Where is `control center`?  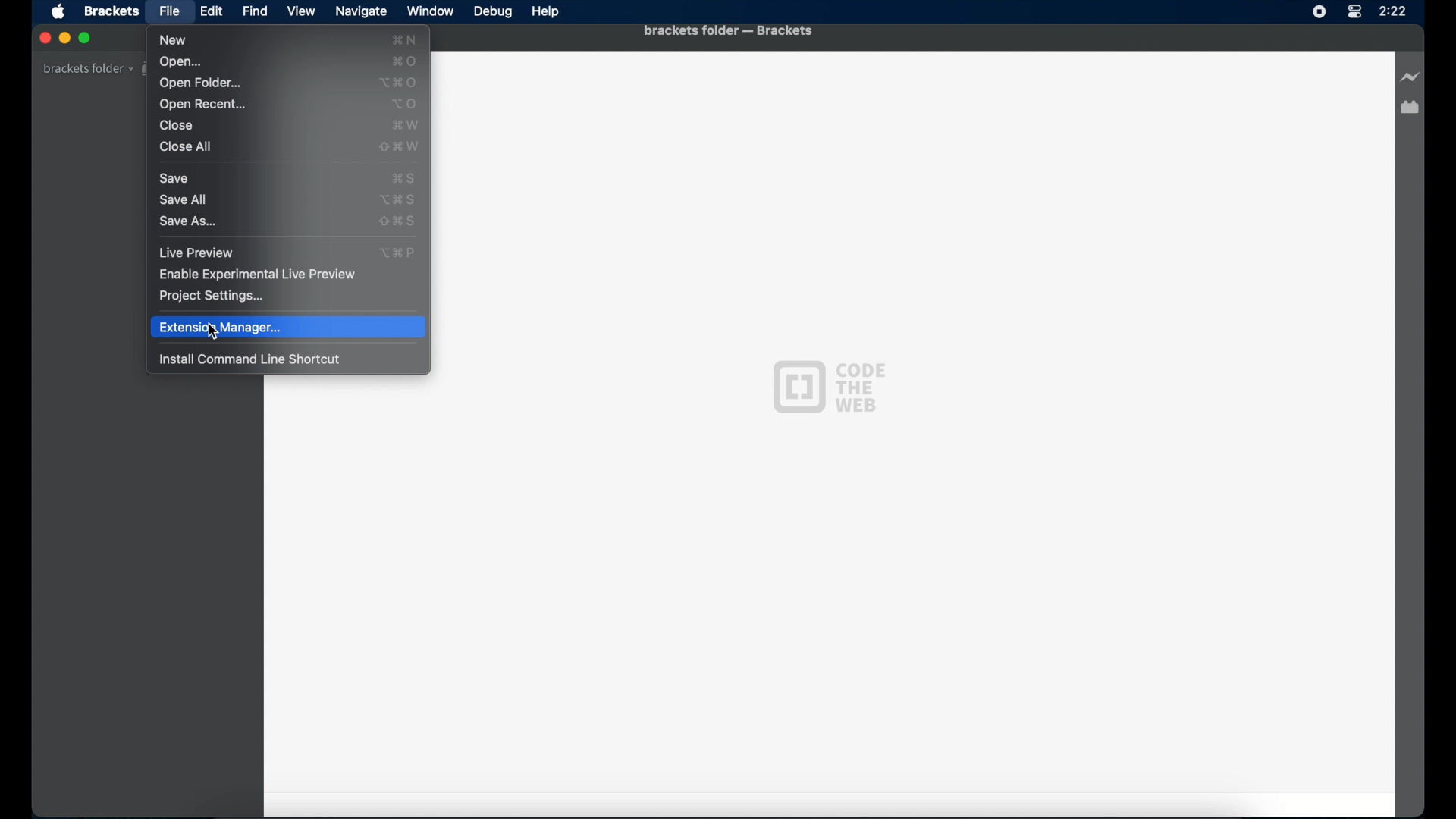
control center is located at coordinates (1355, 17).